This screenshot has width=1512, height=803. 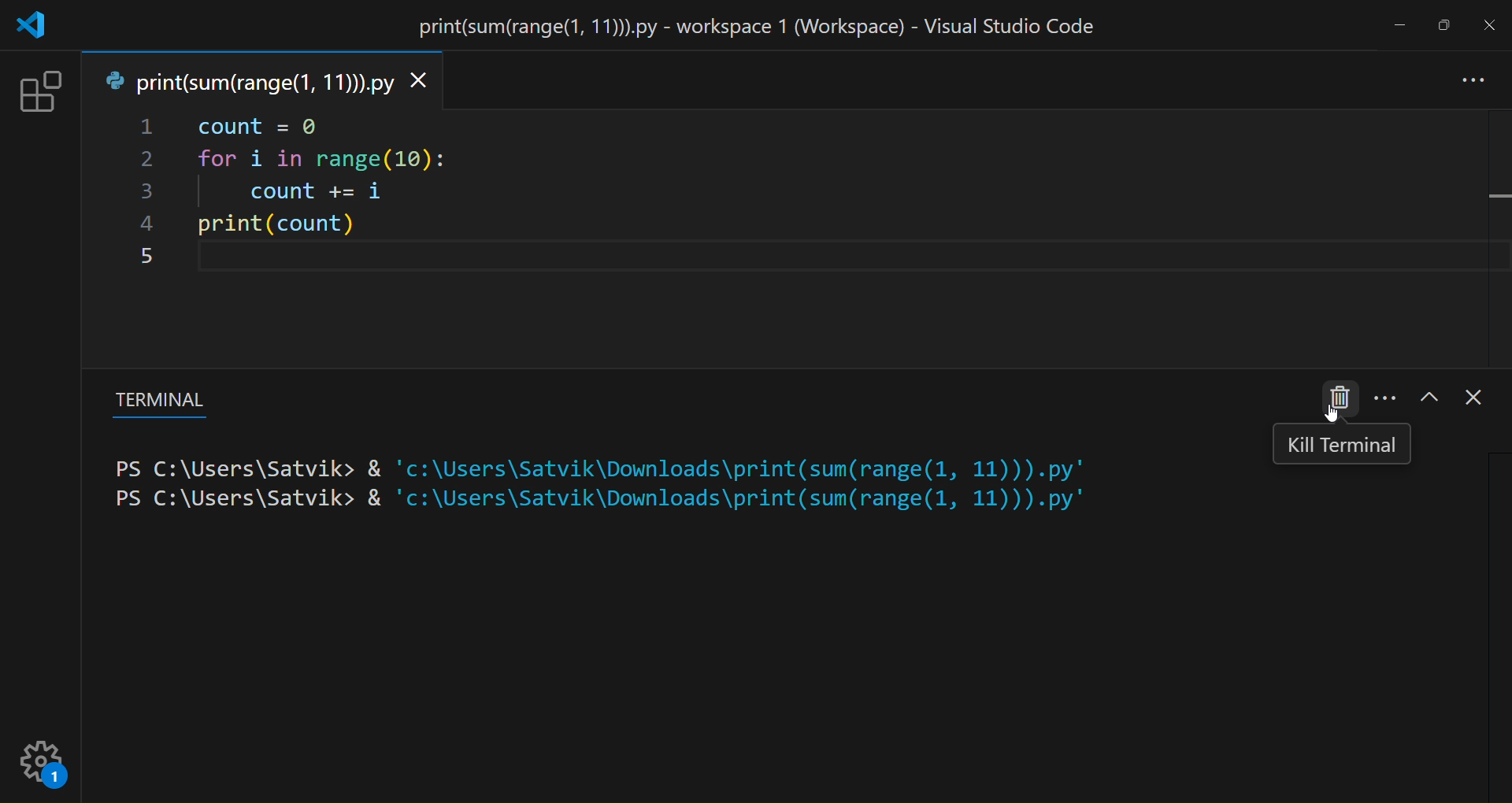 What do you see at coordinates (146, 193) in the screenshot?
I see `line number` at bounding box center [146, 193].